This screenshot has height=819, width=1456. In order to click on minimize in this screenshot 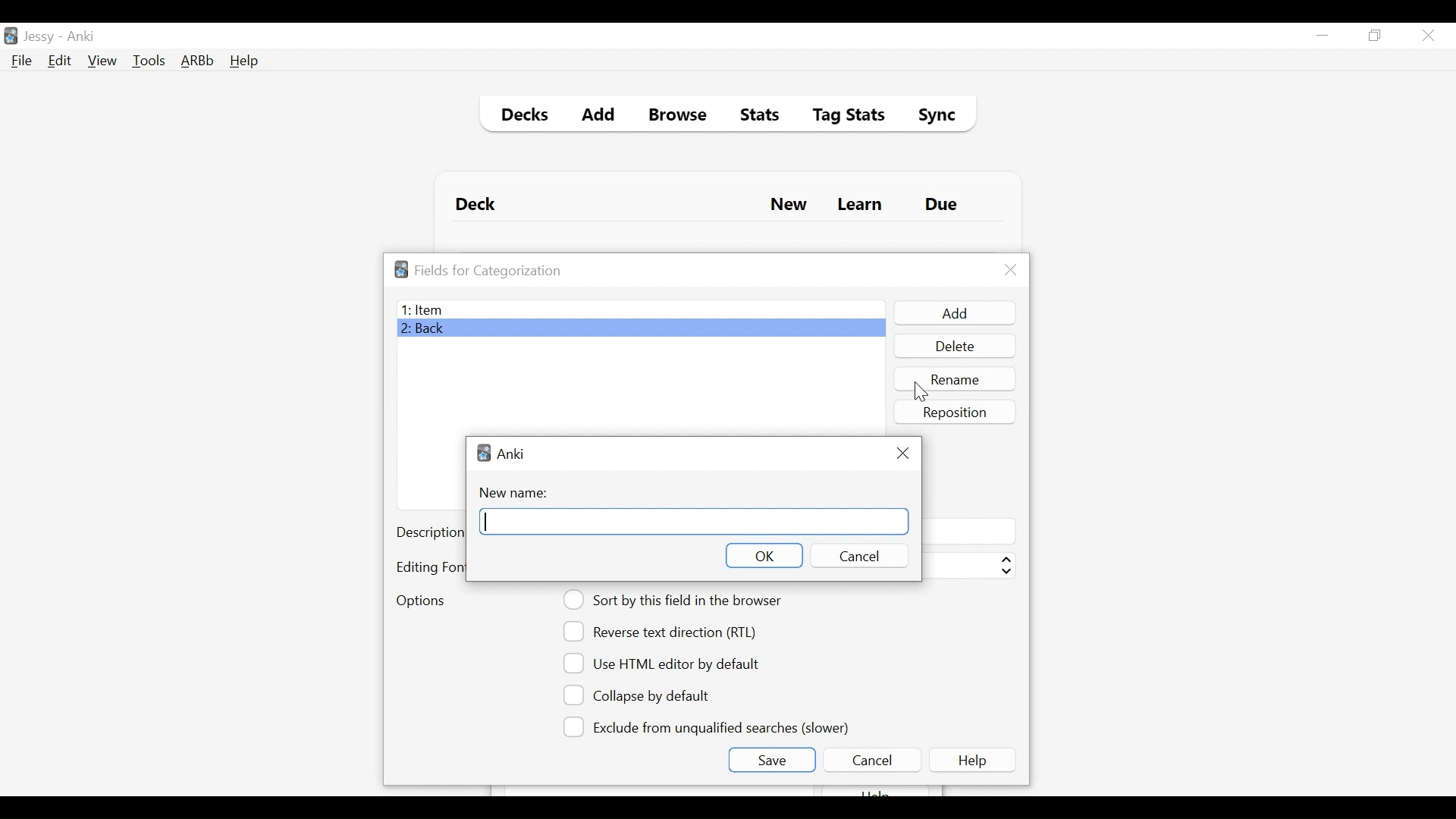, I will do `click(1322, 36)`.